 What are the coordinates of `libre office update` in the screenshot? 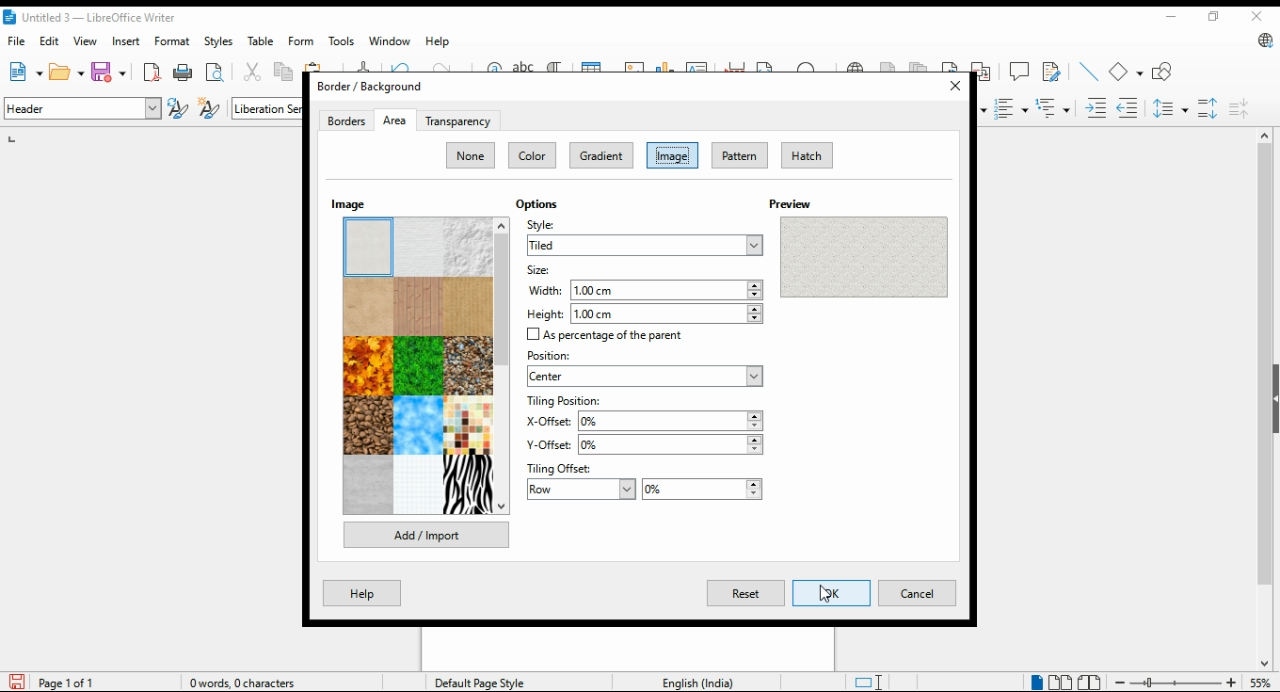 It's located at (1262, 42).